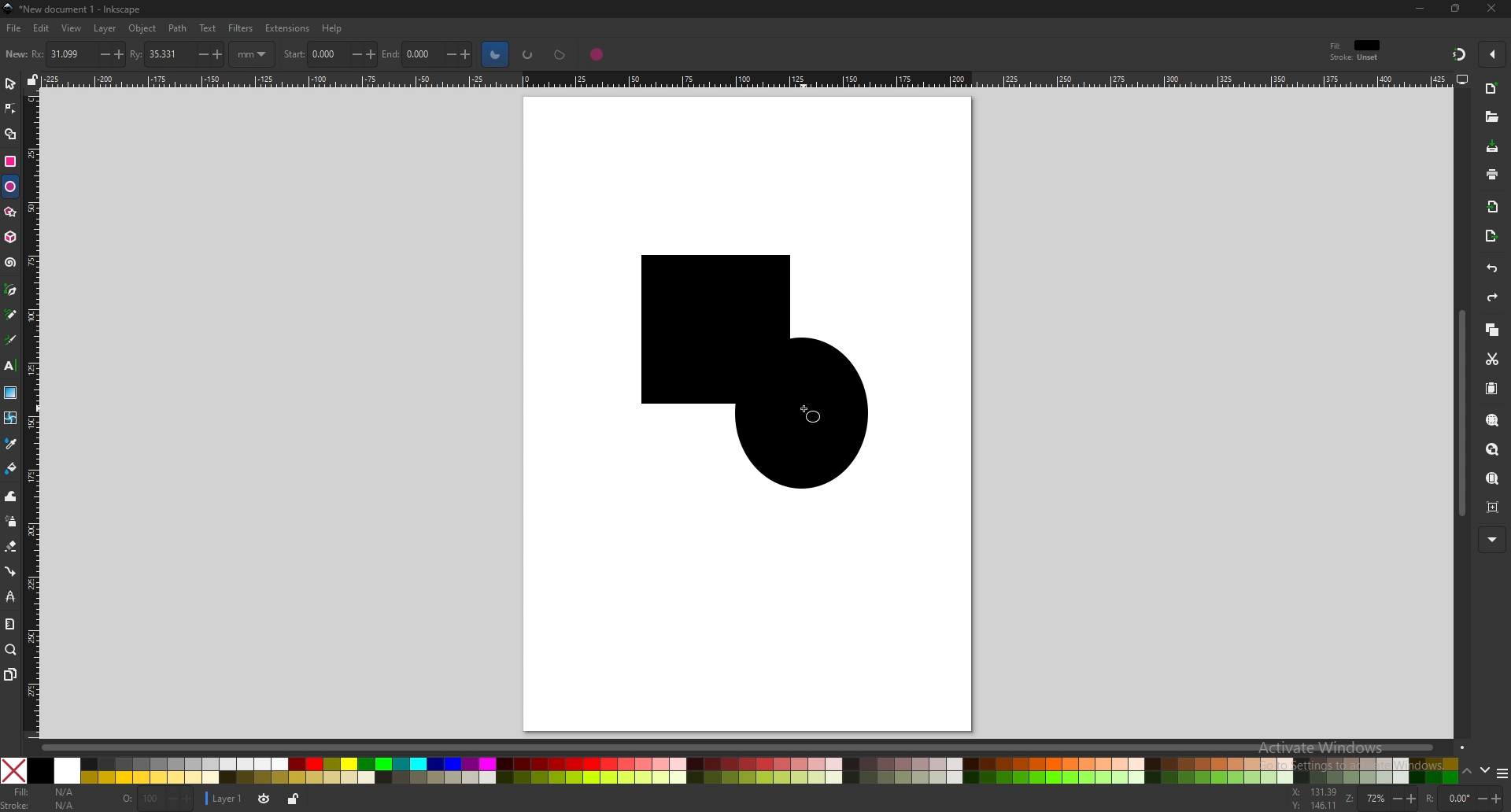 The height and width of the screenshot is (812, 1511). What do you see at coordinates (1358, 50) in the screenshot?
I see `style` at bounding box center [1358, 50].